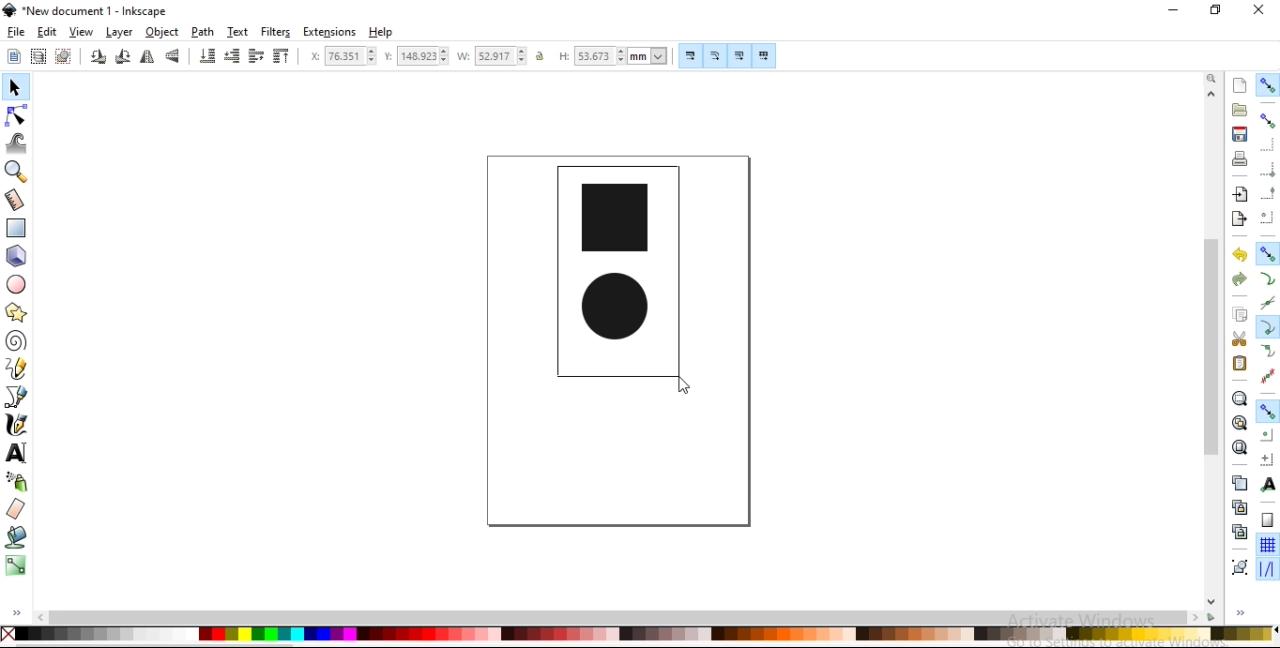 The height and width of the screenshot is (648, 1280). What do you see at coordinates (162, 32) in the screenshot?
I see `object` at bounding box center [162, 32].